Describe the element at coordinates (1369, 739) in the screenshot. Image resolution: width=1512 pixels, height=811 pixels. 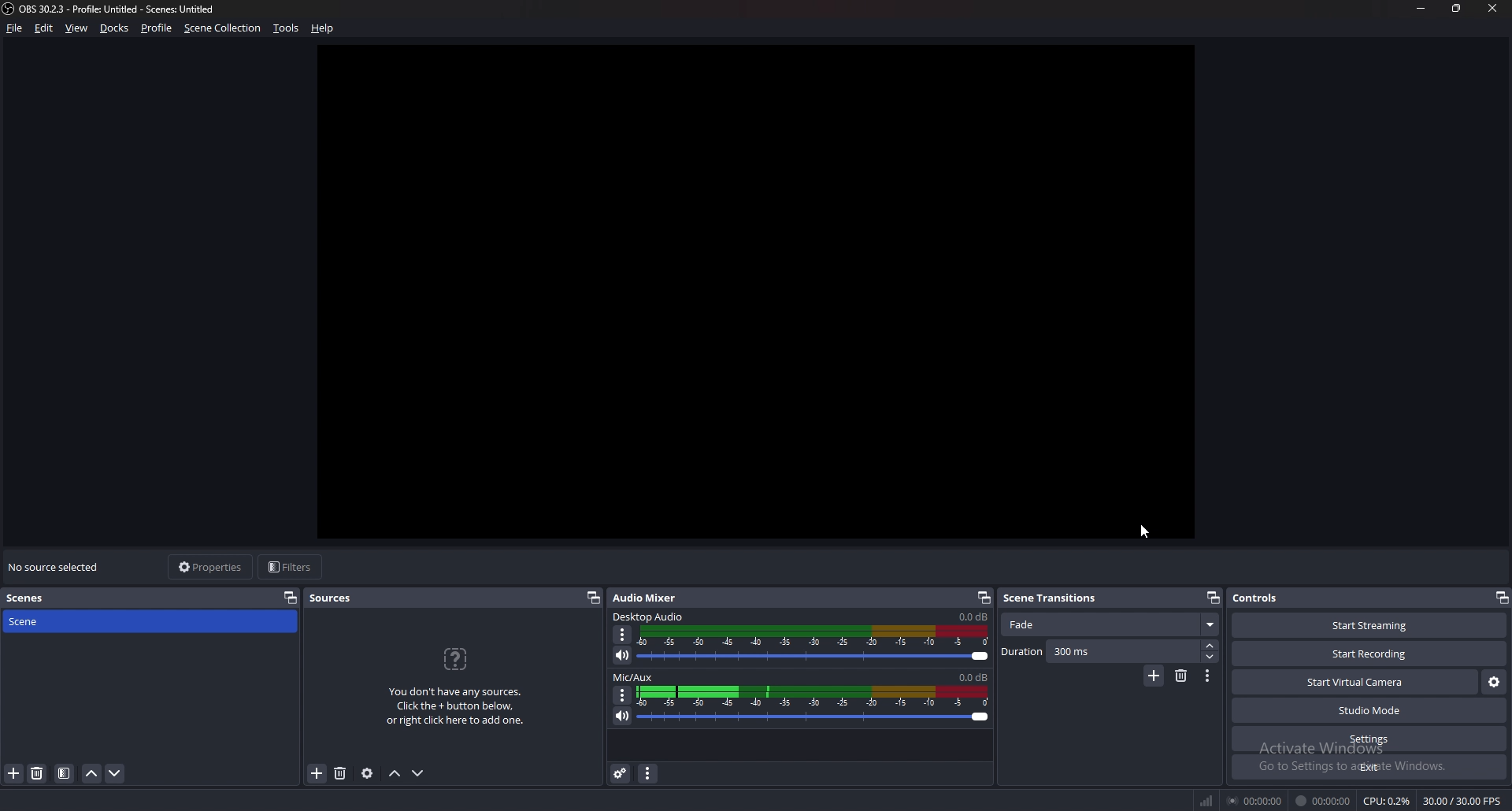
I see `settings` at that location.